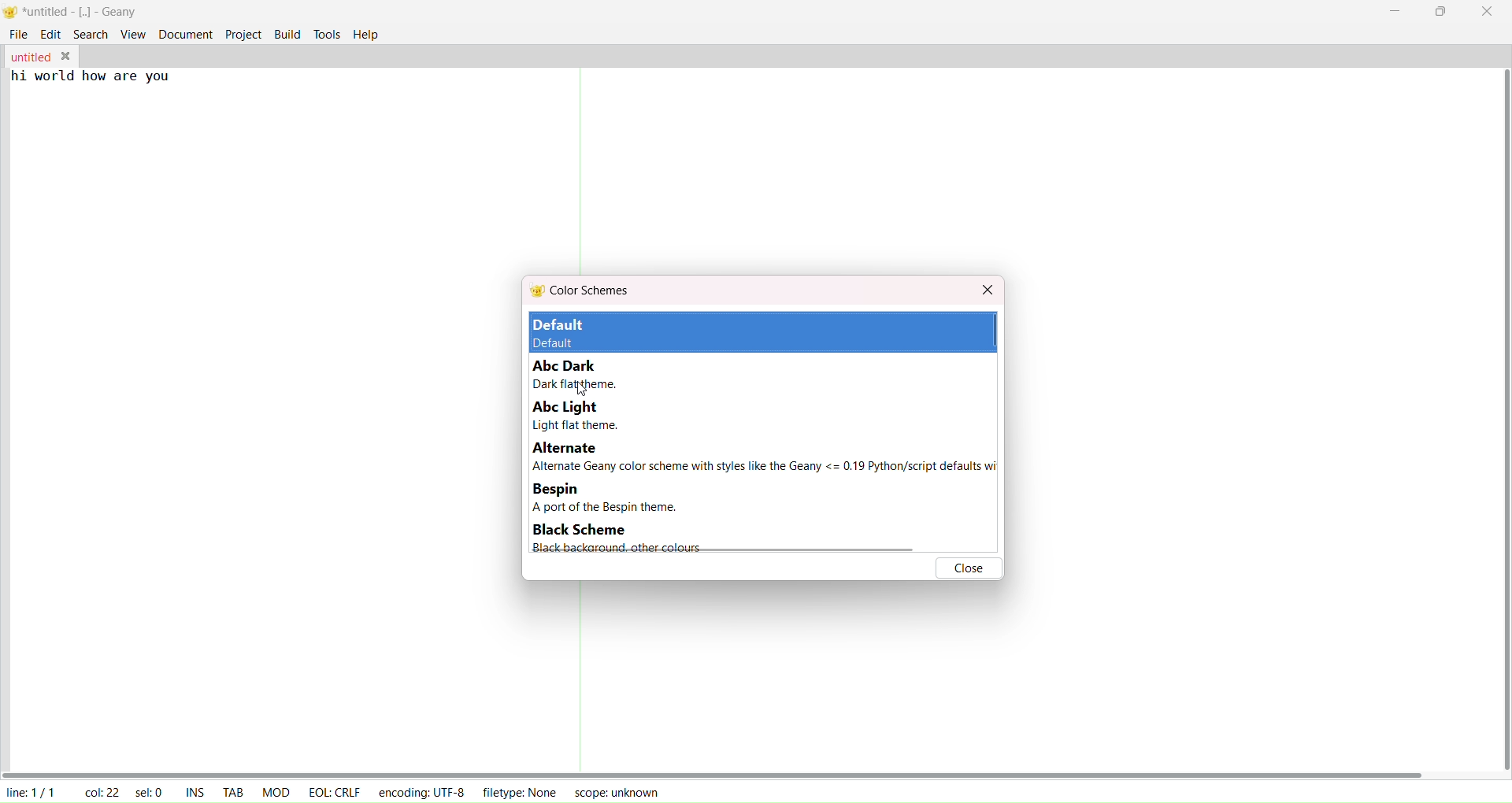 The height and width of the screenshot is (803, 1512). Describe the element at coordinates (561, 407) in the screenshot. I see `abc light` at that location.